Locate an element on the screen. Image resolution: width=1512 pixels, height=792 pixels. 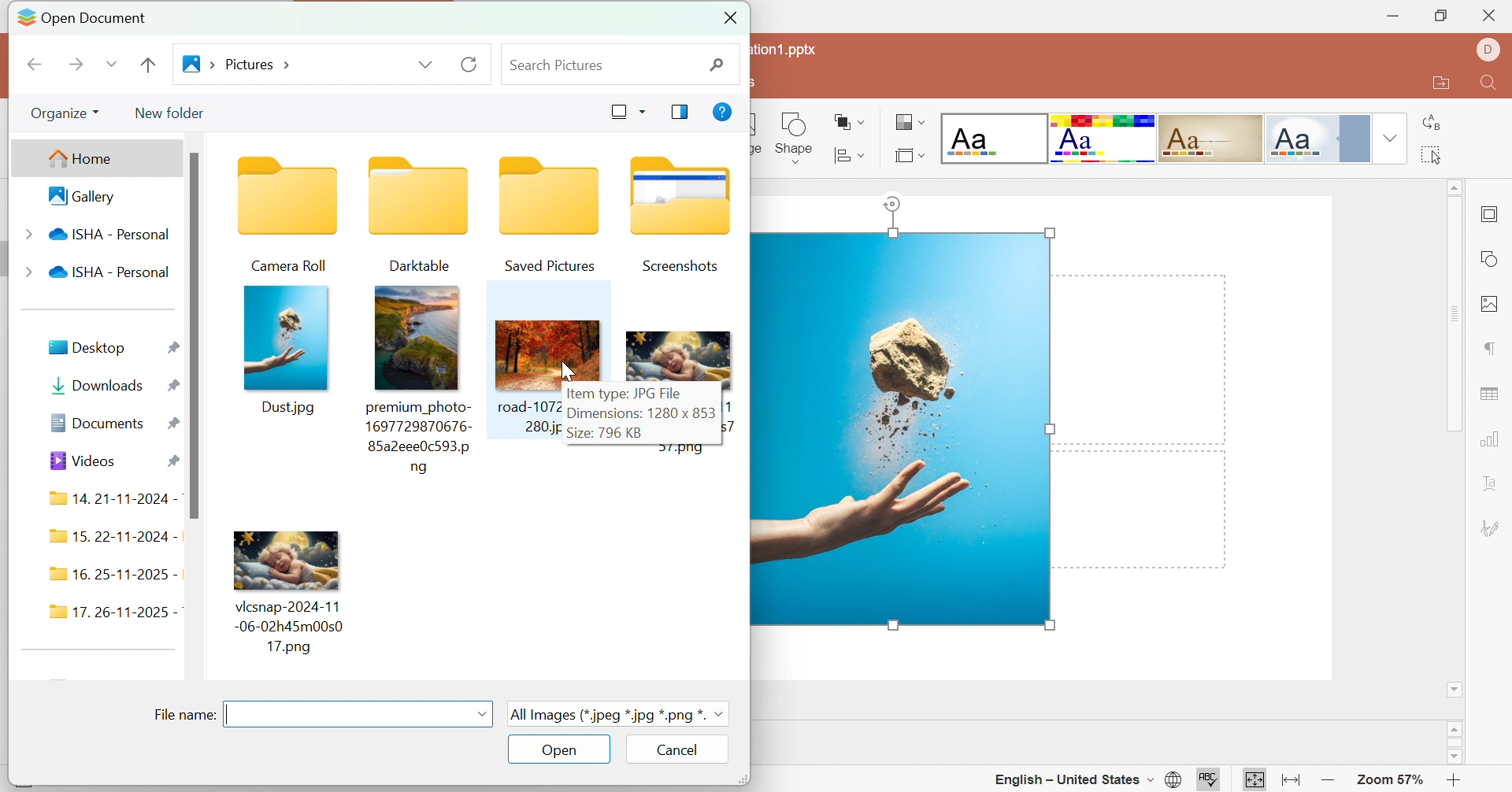
table settings is located at coordinates (1492, 394).